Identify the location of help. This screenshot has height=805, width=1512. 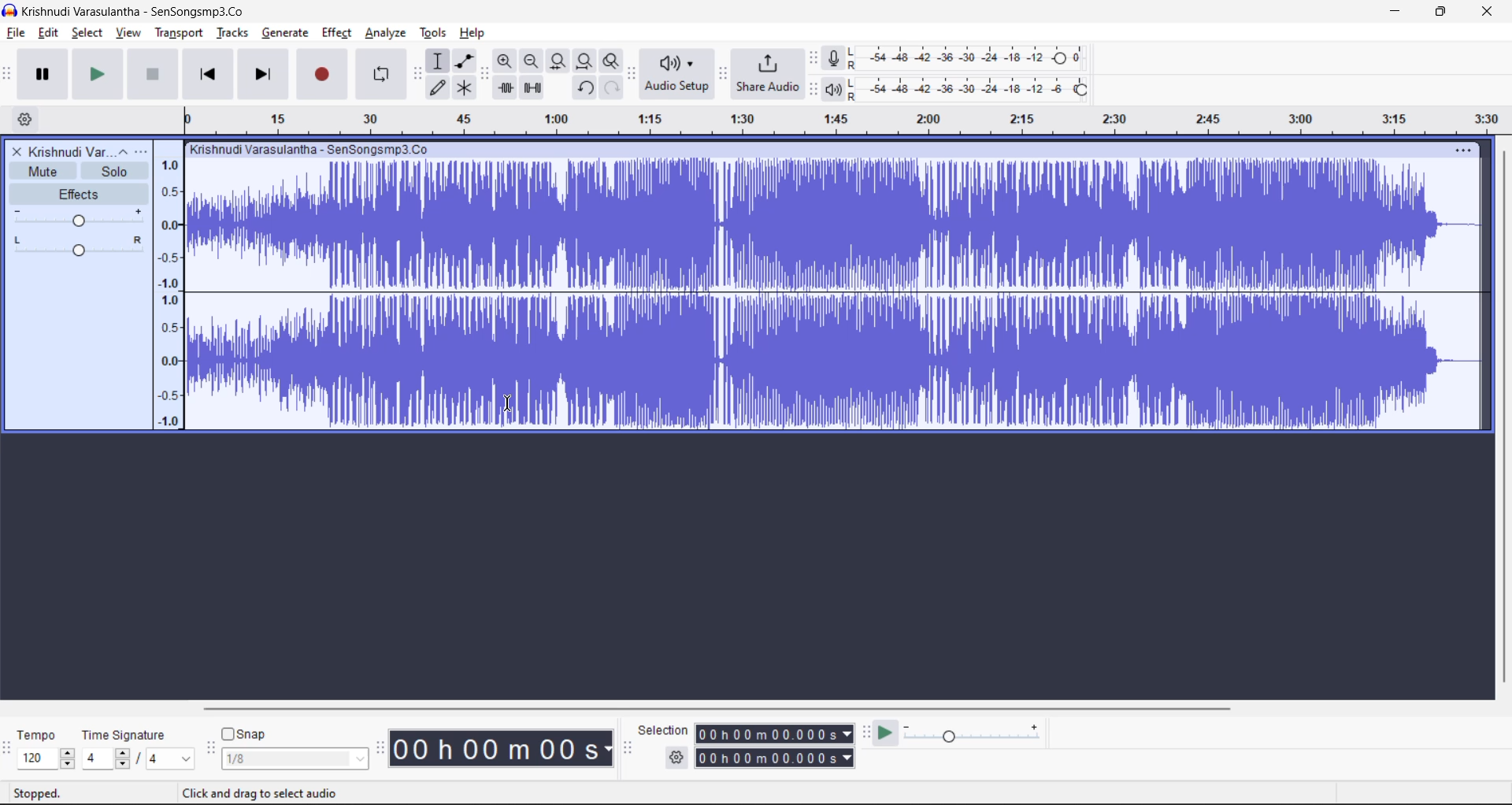
(473, 33).